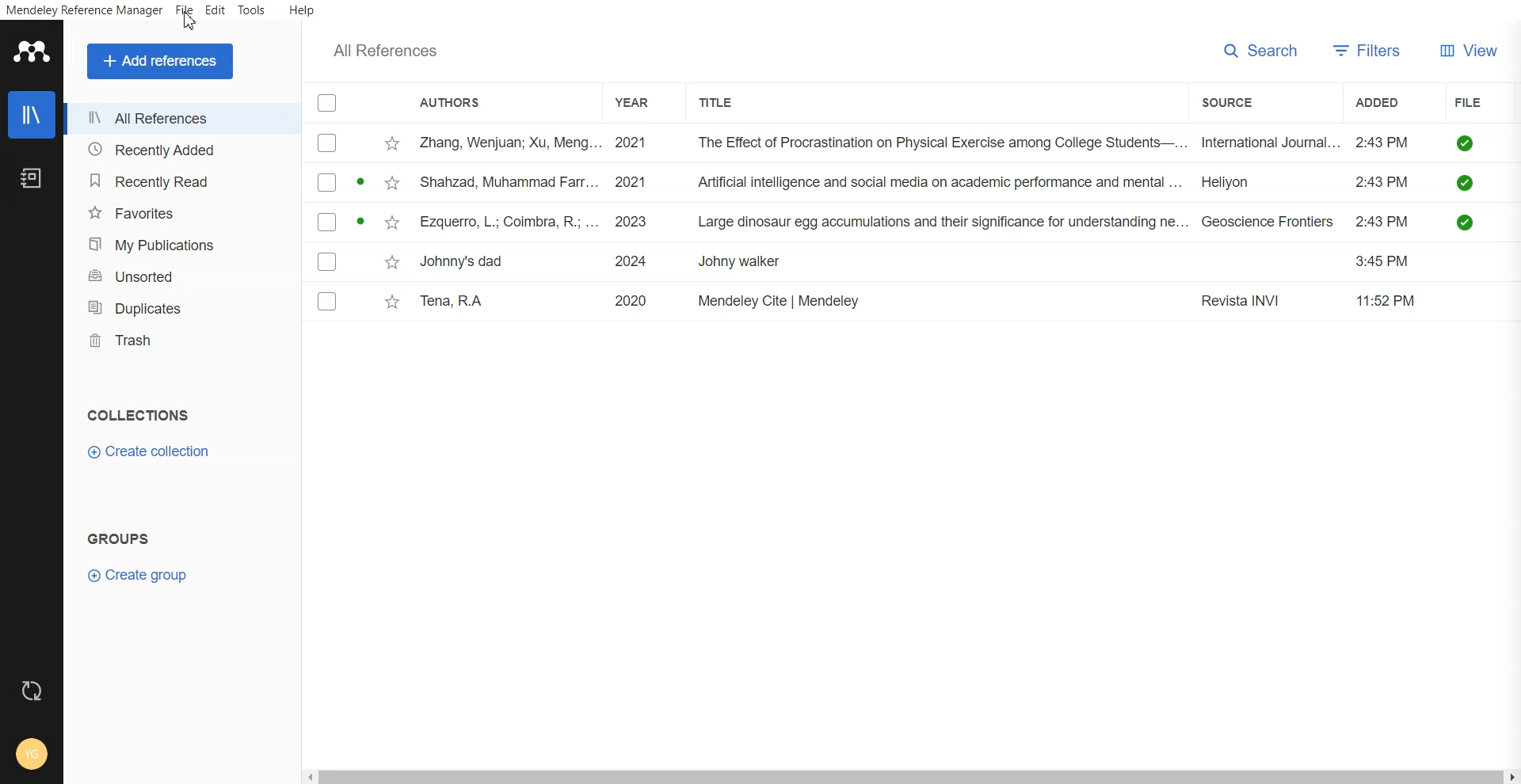 Image resolution: width=1521 pixels, height=784 pixels. I want to click on saved, so click(1467, 222).